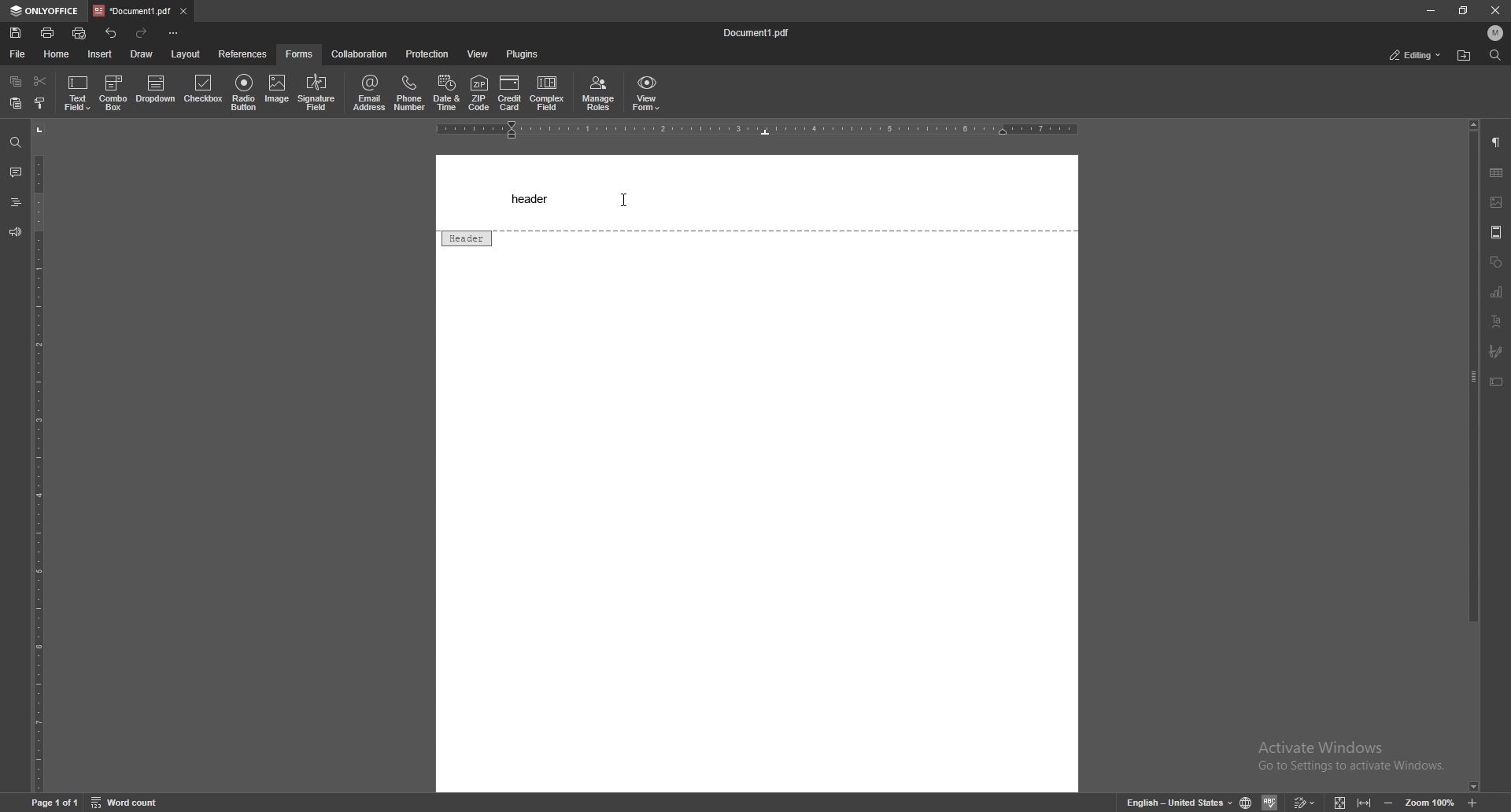 This screenshot has height=812, width=1511. What do you see at coordinates (244, 90) in the screenshot?
I see `radio button` at bounding box center [244, 90].